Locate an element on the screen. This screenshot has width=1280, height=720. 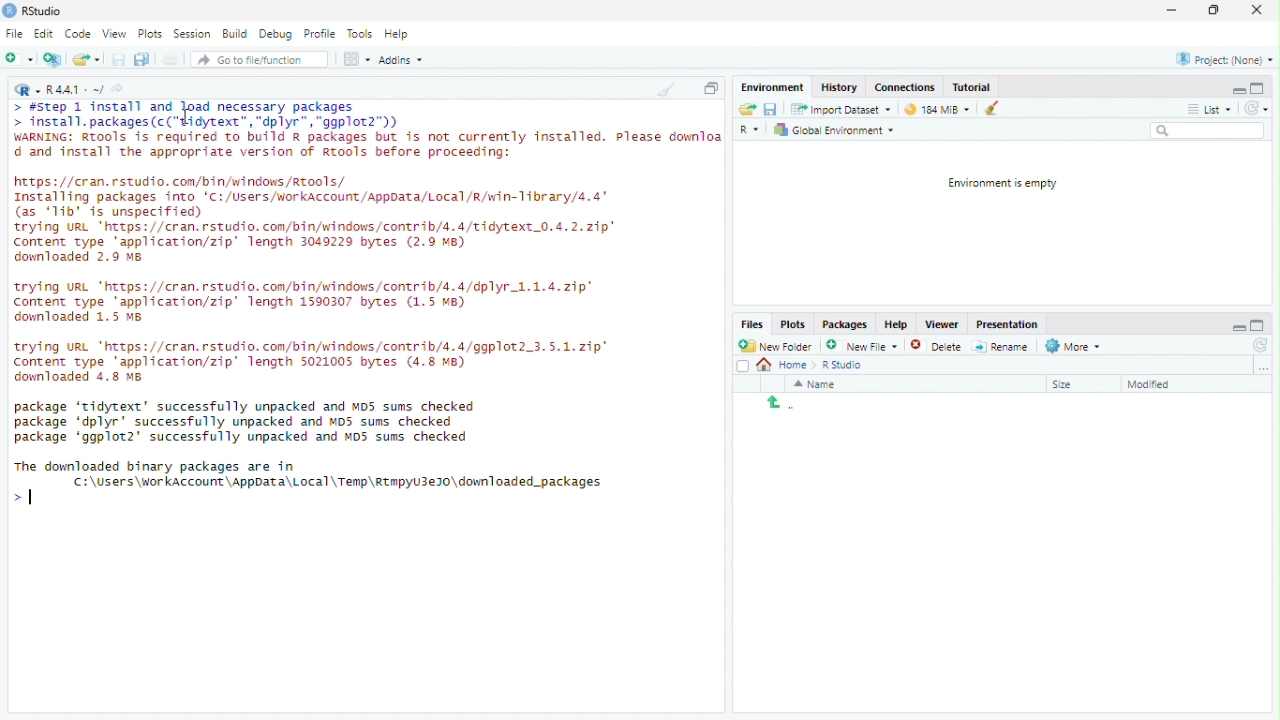
Search is located at coordinates (1208, 130).